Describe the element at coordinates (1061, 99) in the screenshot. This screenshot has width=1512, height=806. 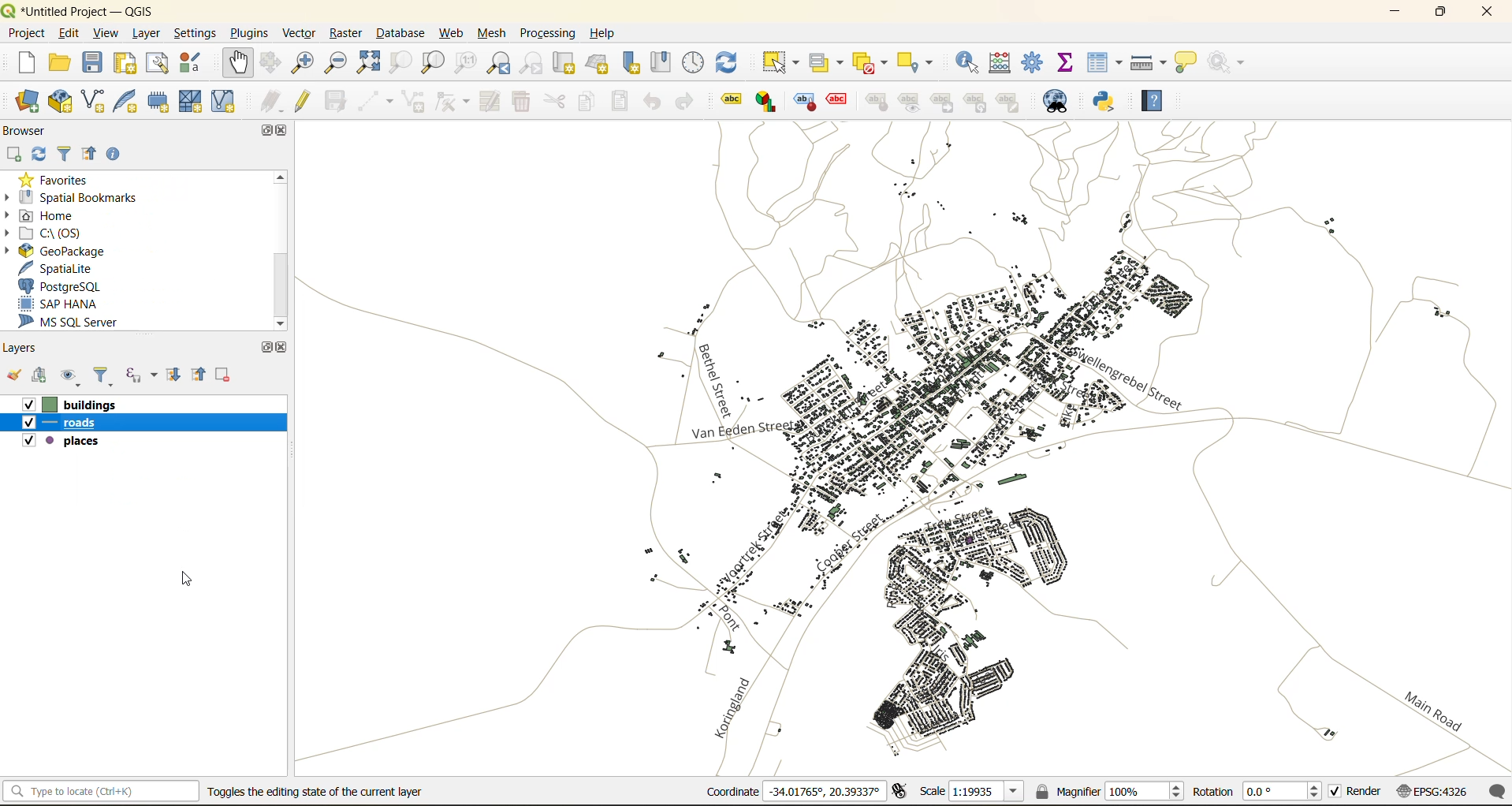
I see `metasearch` at that location.